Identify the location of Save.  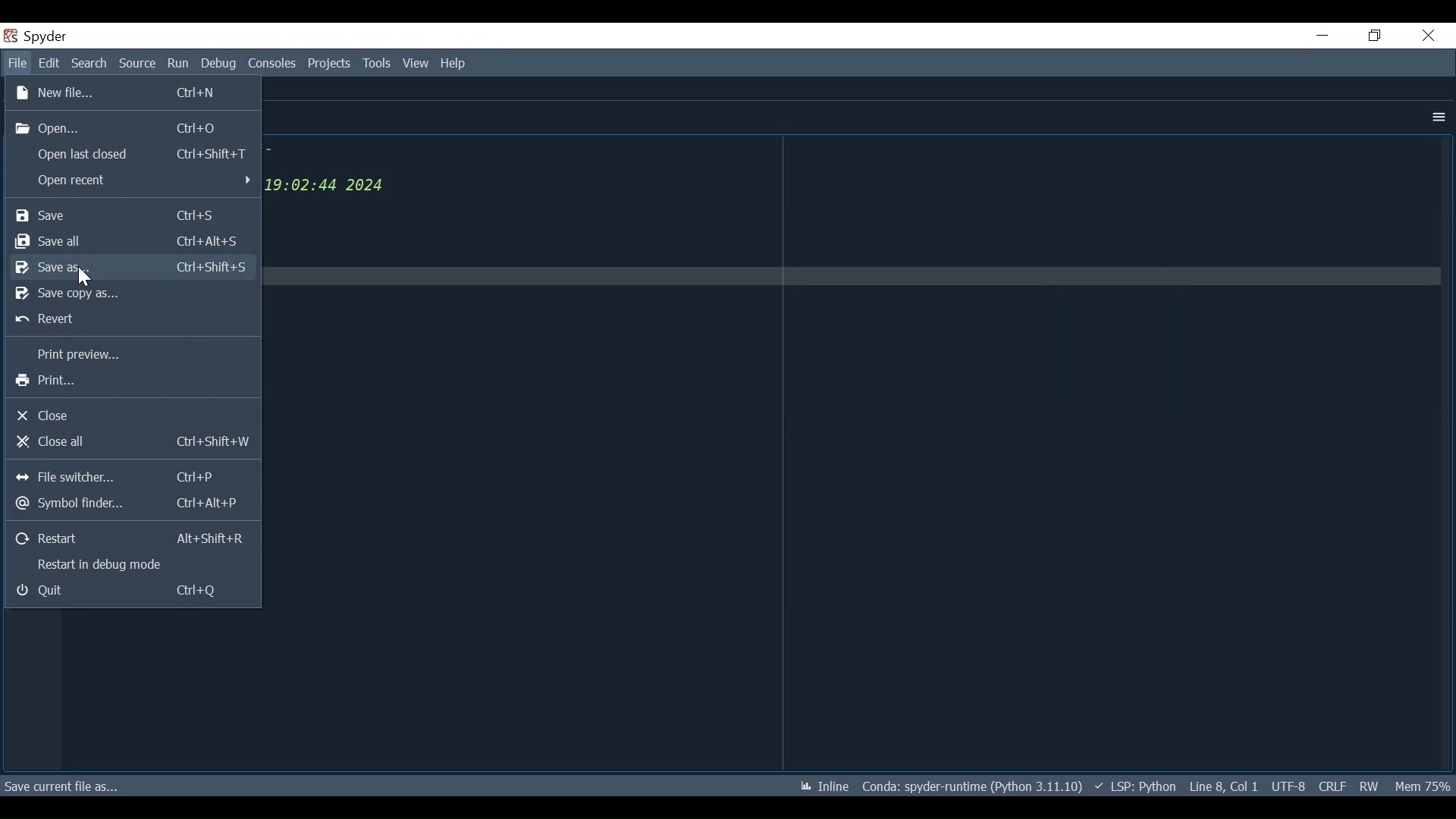
(134, 215).